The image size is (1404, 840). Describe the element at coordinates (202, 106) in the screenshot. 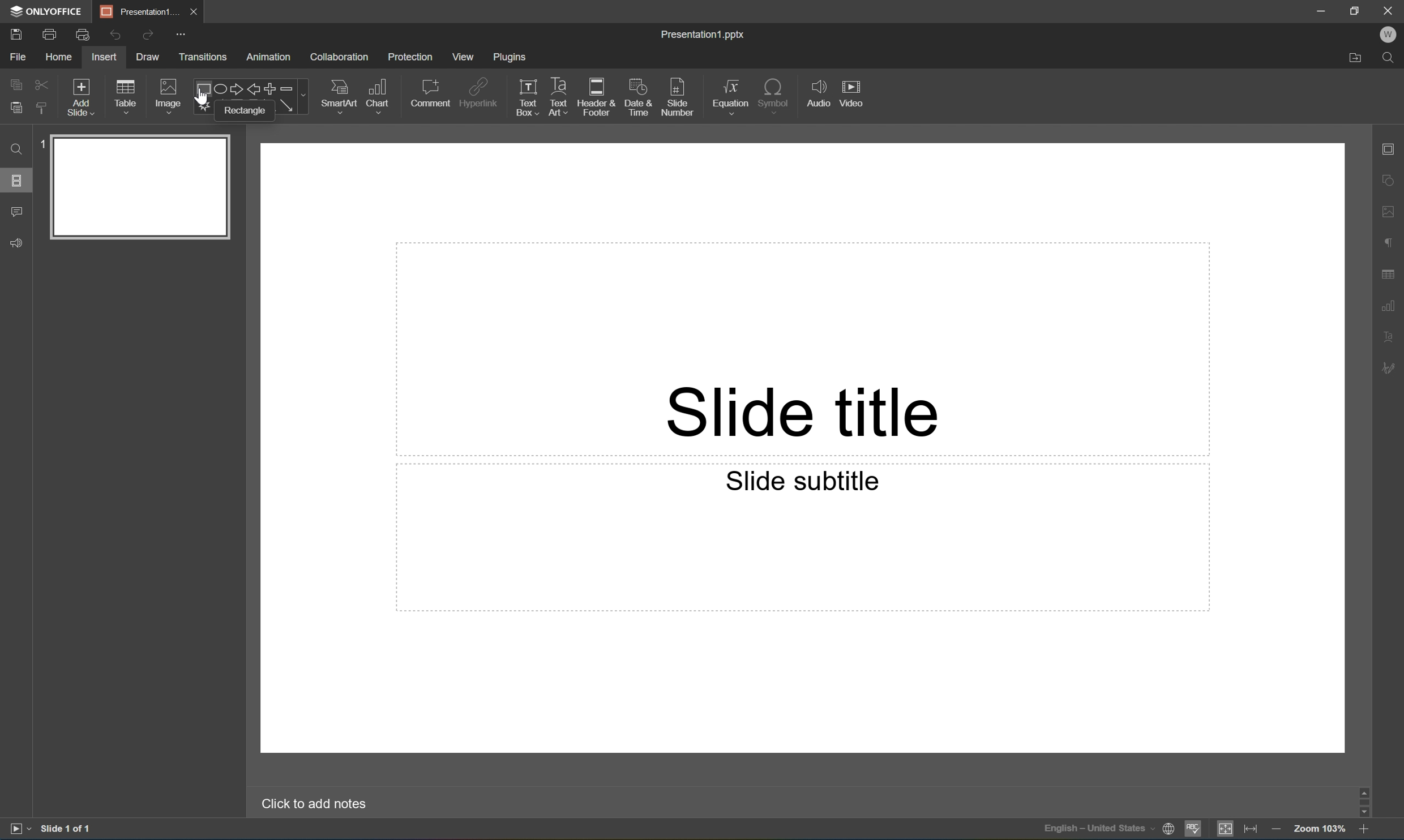

I see `` at that location.